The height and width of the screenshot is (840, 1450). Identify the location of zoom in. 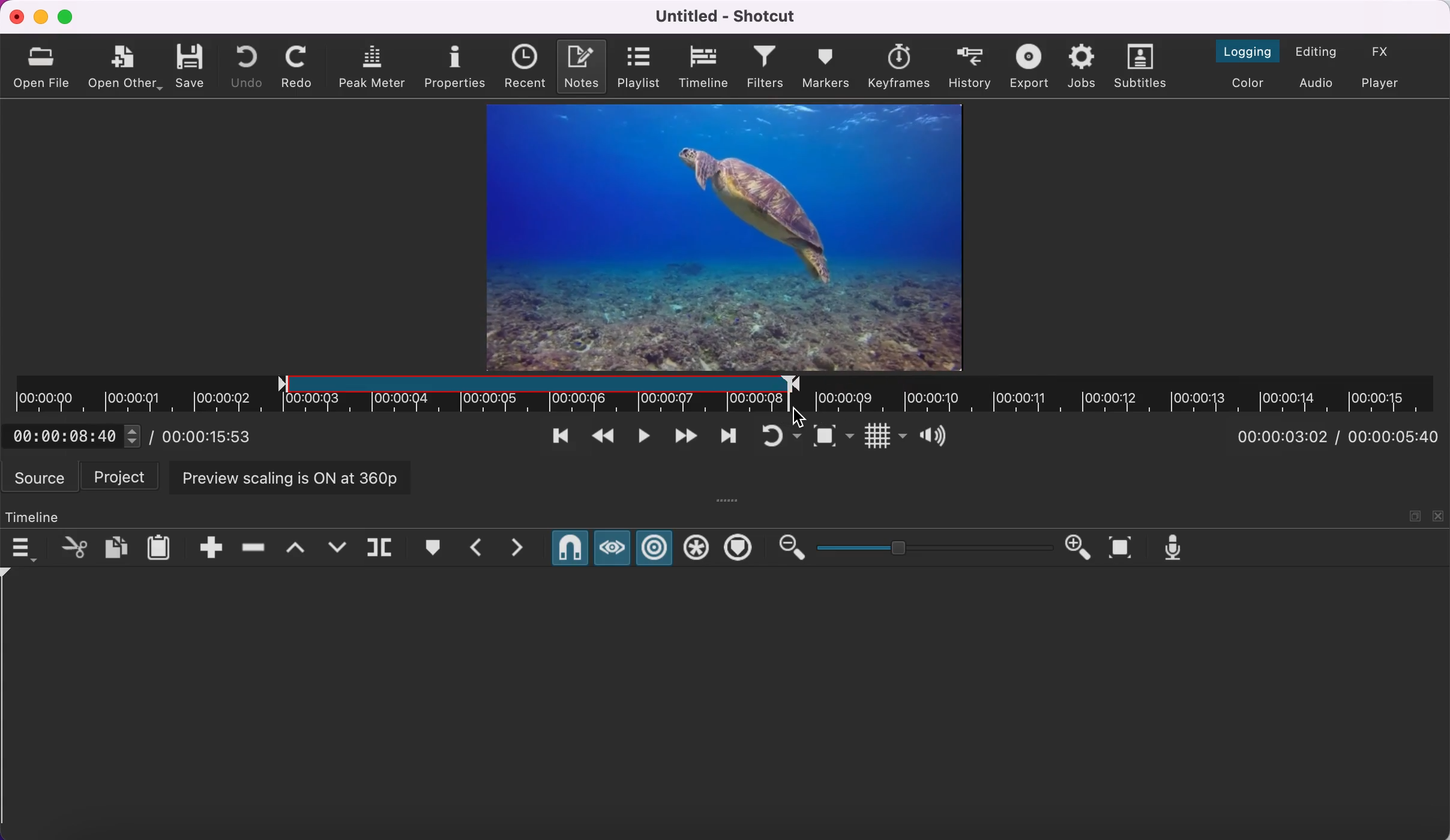
(1081, 548).